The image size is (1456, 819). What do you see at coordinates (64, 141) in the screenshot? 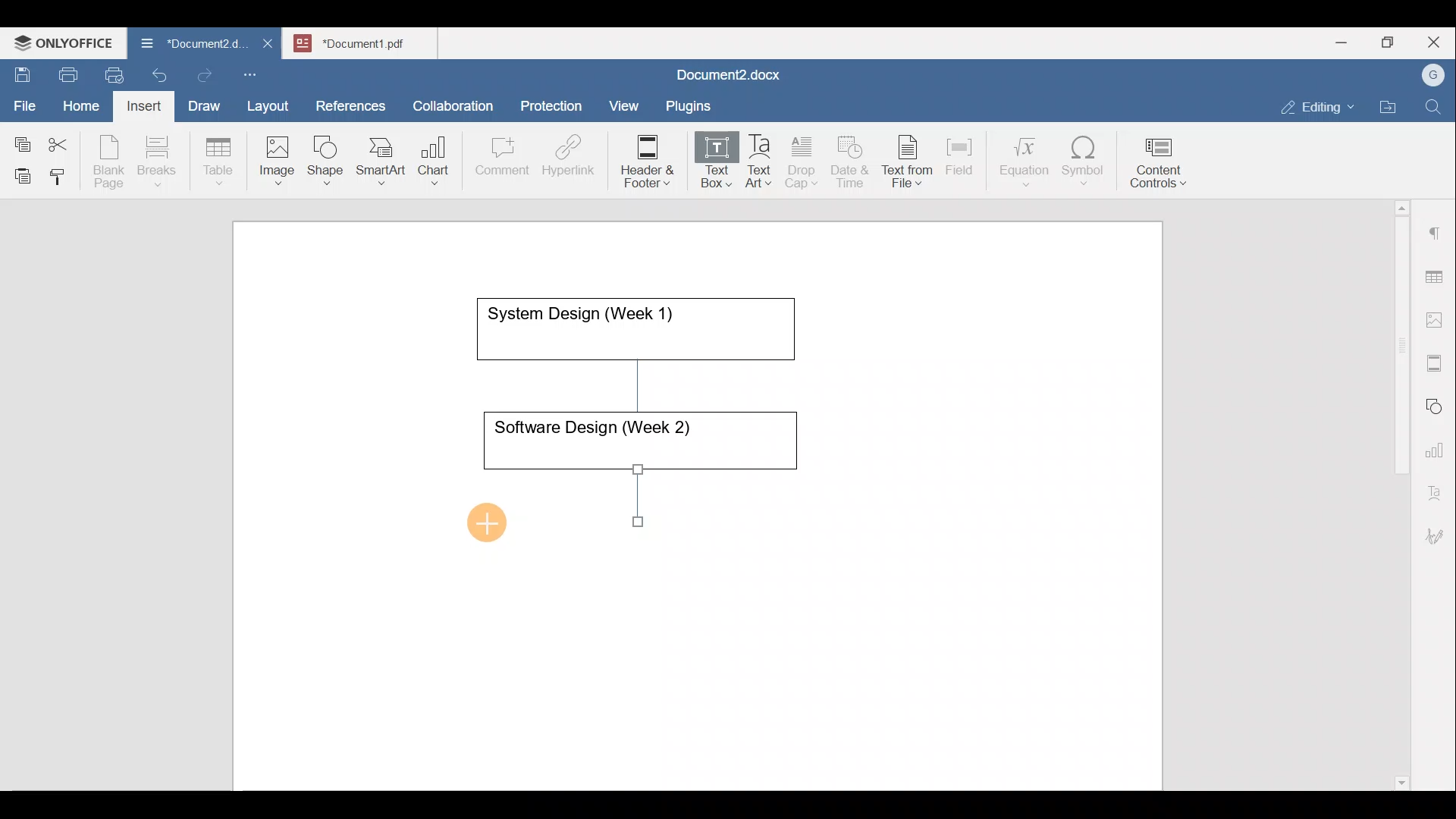
I see `Cut` at bounding box center [64, 141].